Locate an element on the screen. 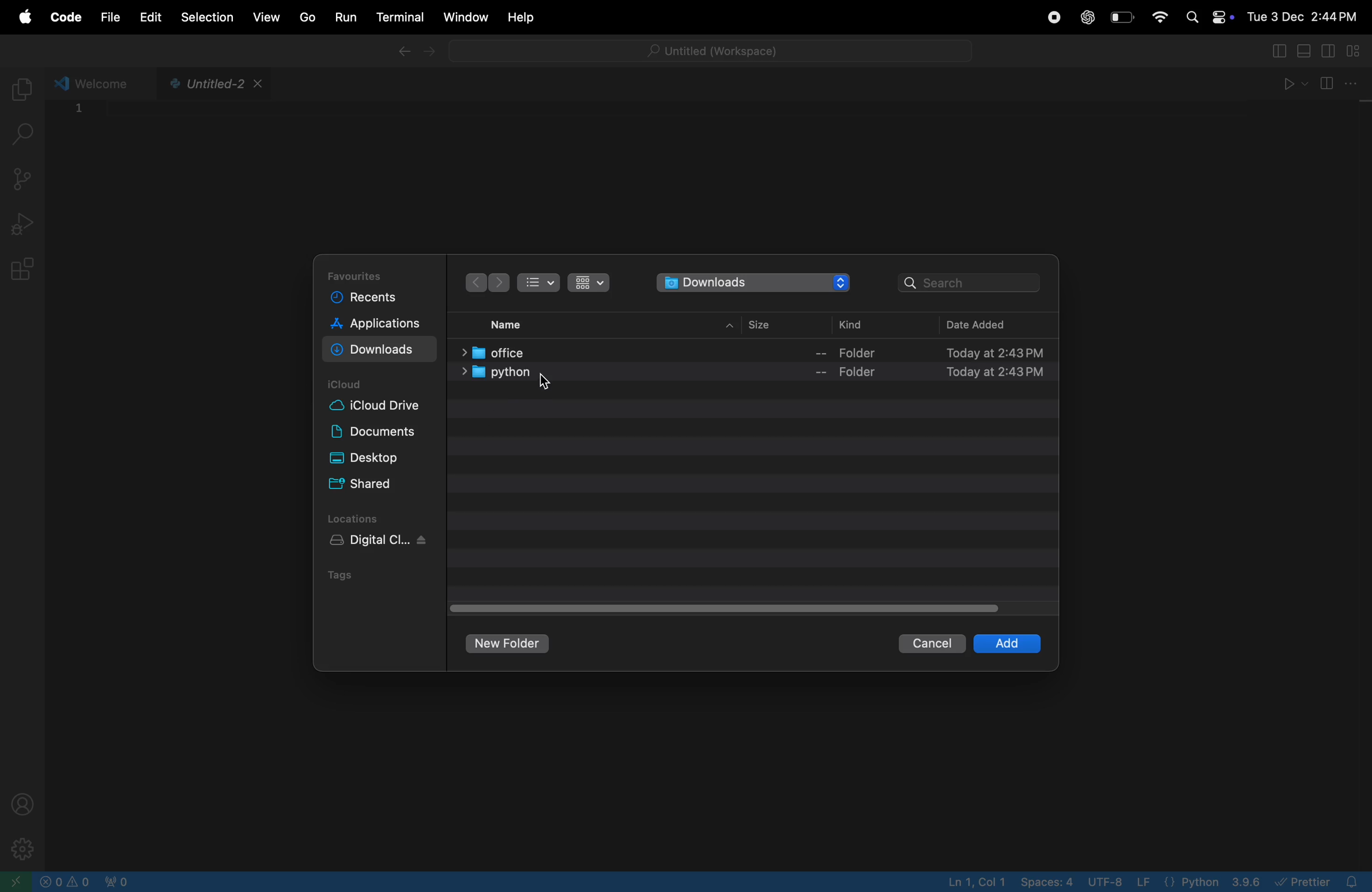 This screenshot has width=1372, height=892. favourites is located at coordinates (362, 274).